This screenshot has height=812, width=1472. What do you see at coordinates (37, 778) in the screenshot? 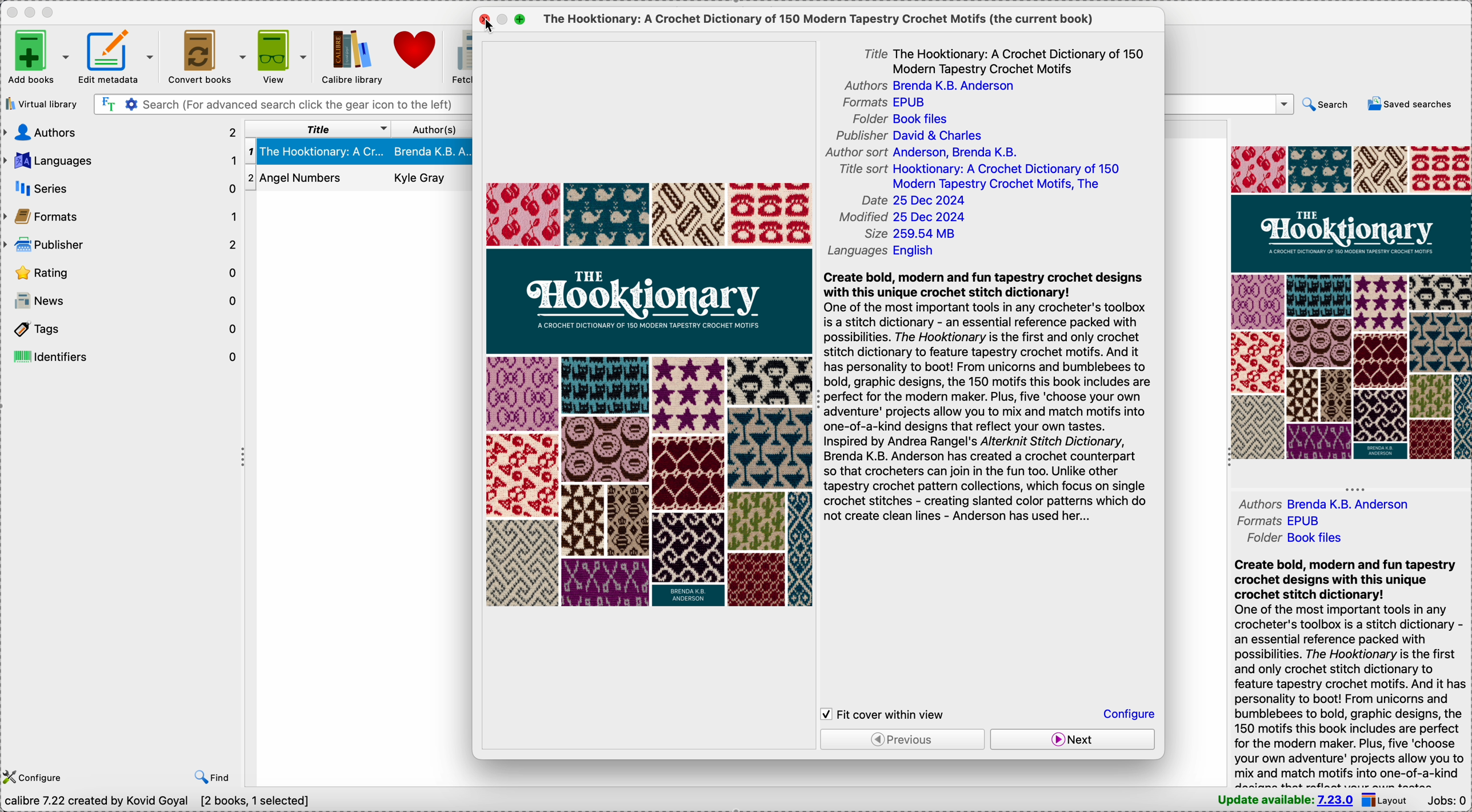
I see `configure` at bounding box center [37, 778].